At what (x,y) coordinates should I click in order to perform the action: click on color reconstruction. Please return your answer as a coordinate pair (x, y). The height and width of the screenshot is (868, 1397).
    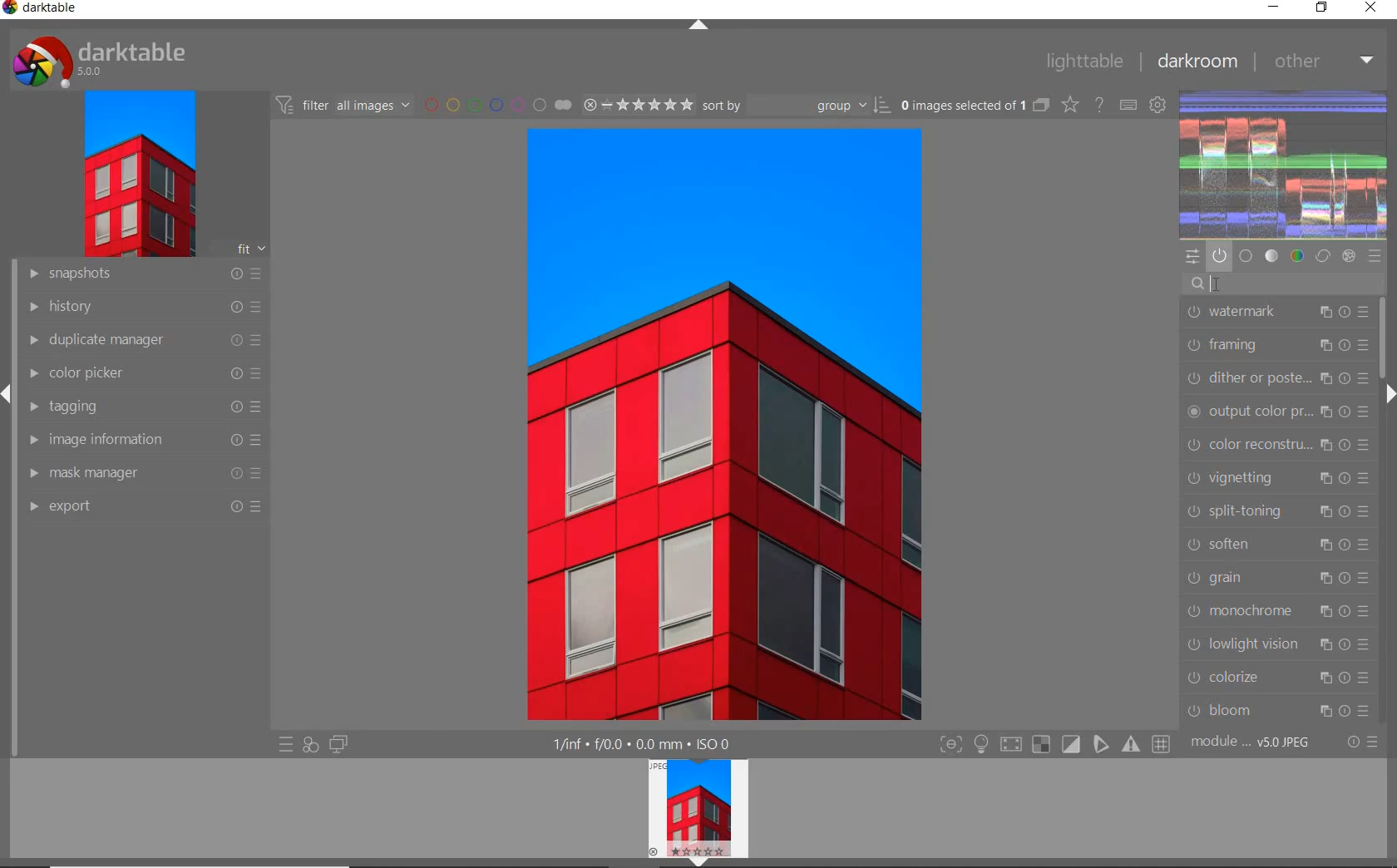
    Looking at the image, I should click on (1278, 443).